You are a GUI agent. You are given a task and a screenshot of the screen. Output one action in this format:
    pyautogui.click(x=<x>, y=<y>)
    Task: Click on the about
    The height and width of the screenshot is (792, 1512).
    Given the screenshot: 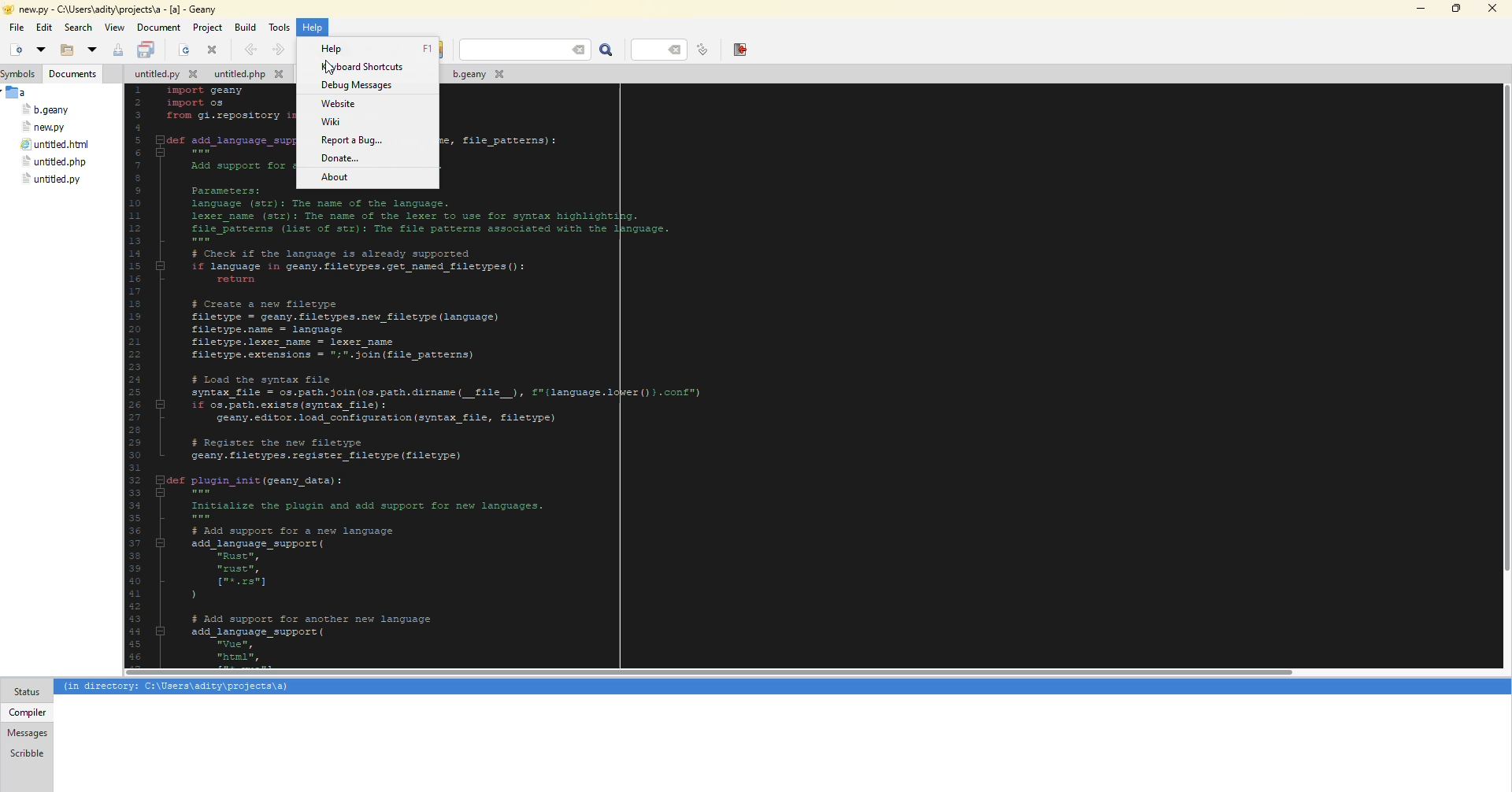 What is the action you would take?
    pyautogui.click(x=337, y=176)
    